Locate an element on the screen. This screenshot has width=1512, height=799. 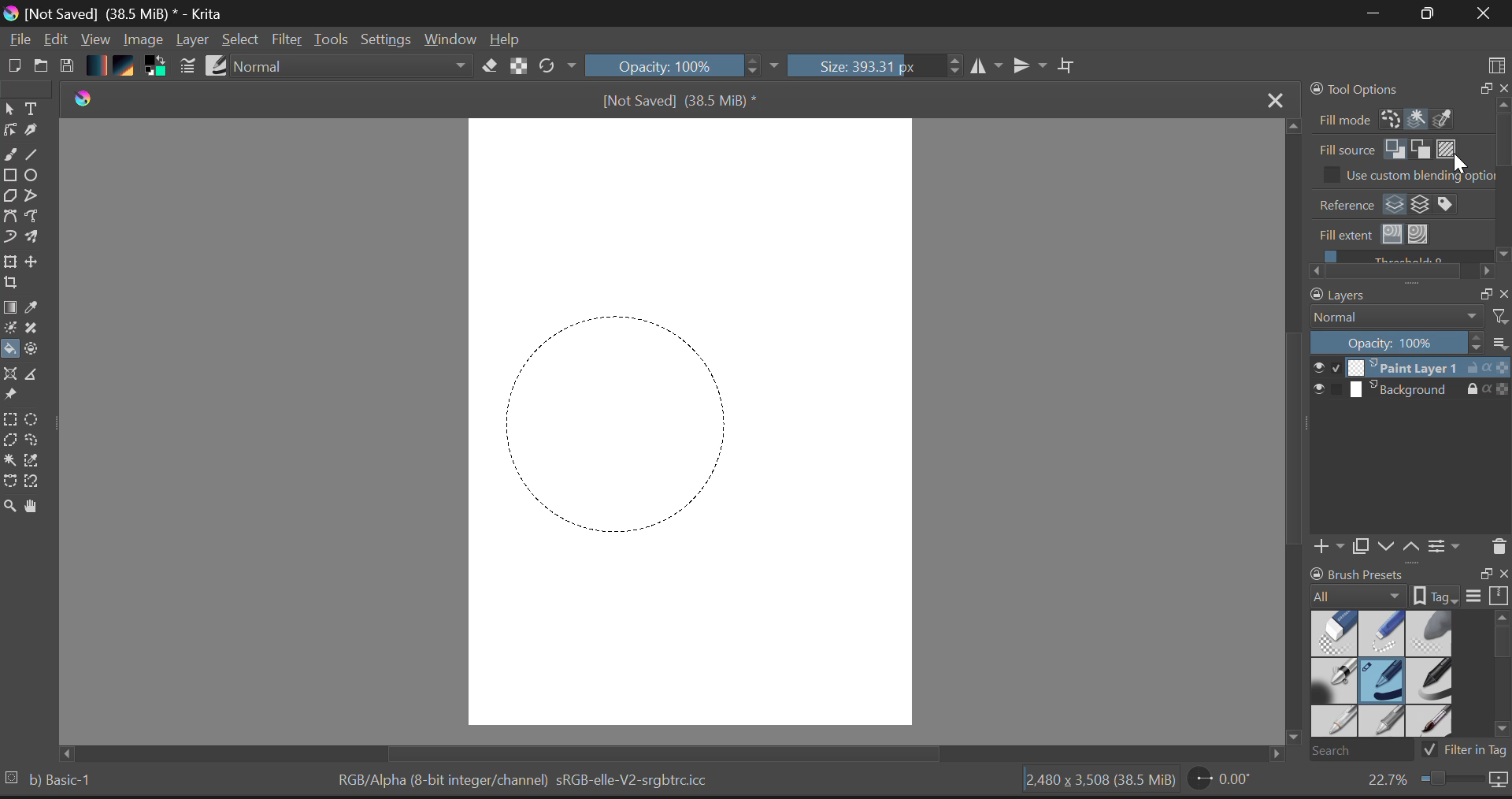
Open is located at coordinates (42, 63).